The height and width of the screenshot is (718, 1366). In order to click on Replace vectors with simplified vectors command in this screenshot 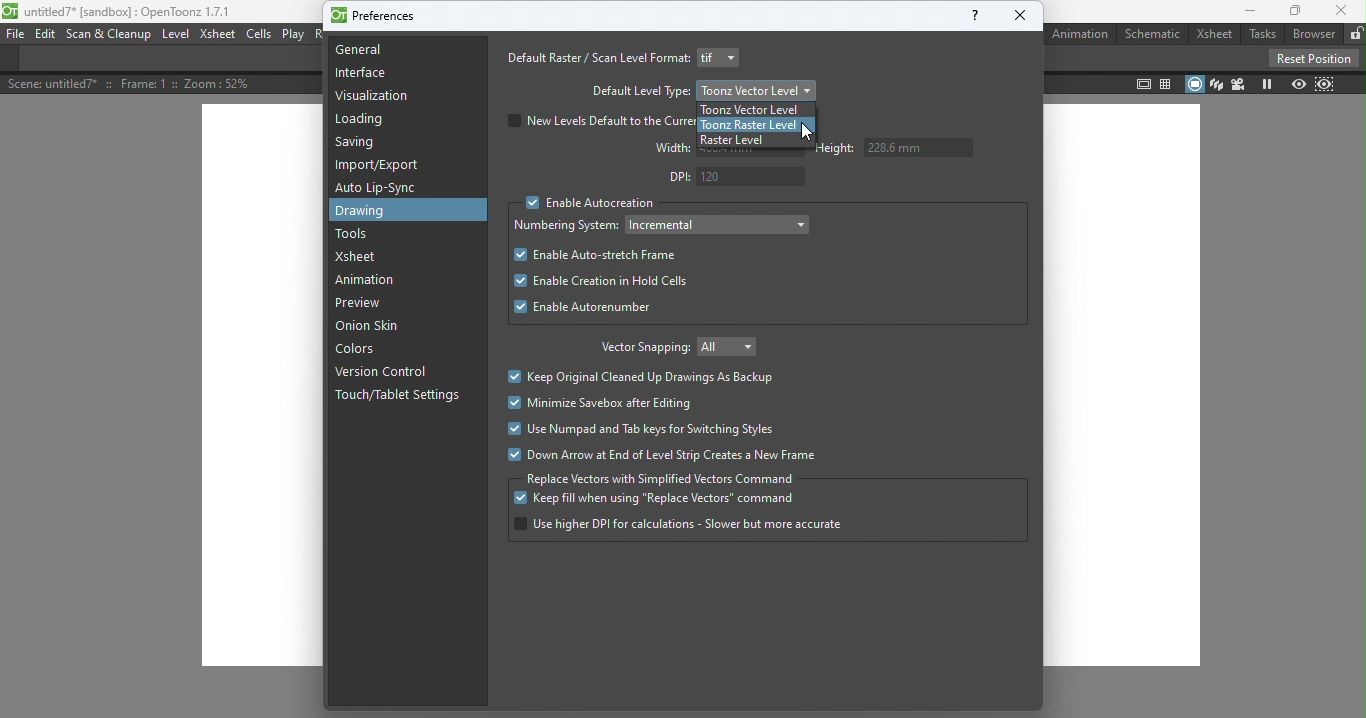, I will do `click(662, 478)`.